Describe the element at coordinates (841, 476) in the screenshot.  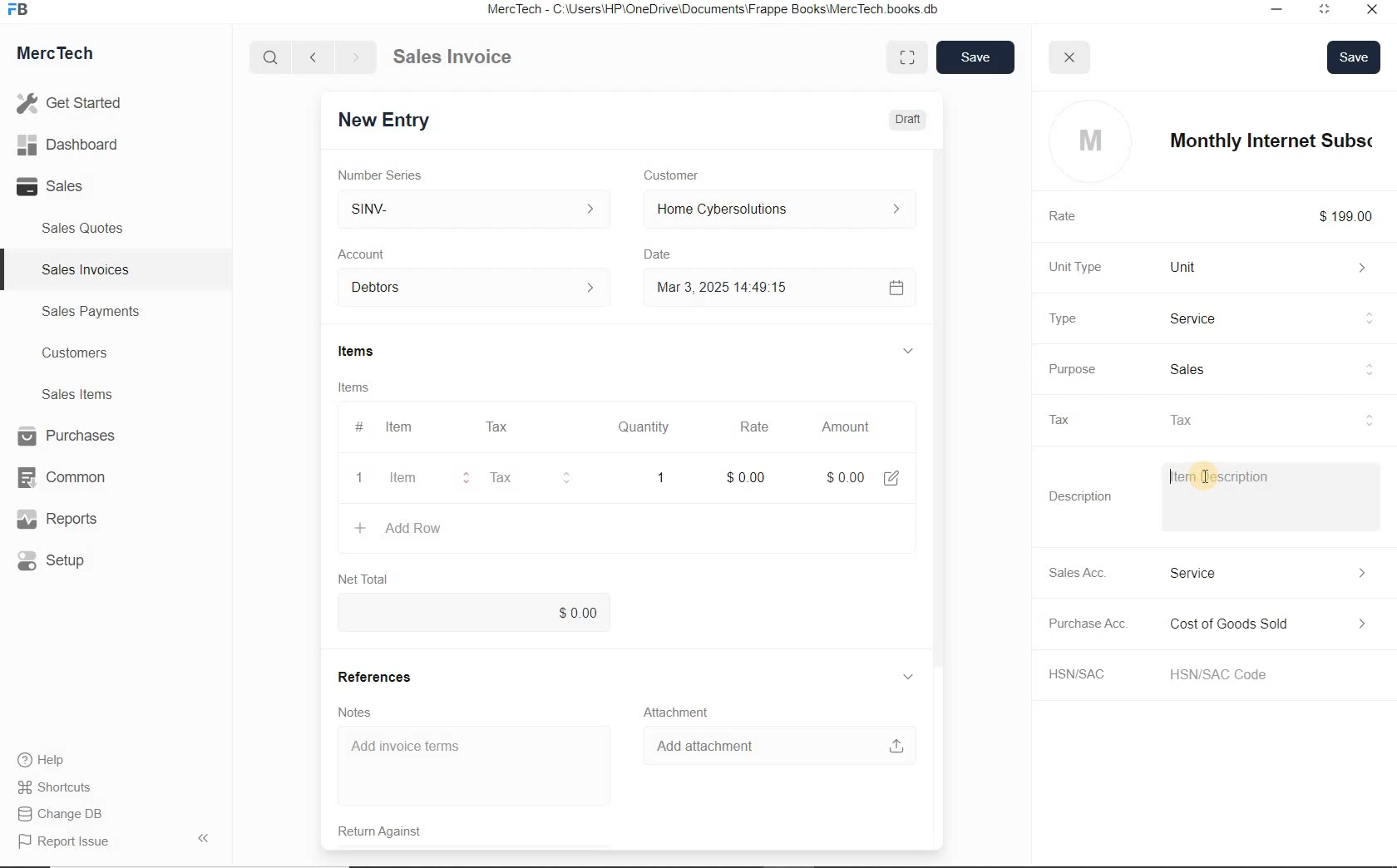
I see `Amount: $0.00` at that location.